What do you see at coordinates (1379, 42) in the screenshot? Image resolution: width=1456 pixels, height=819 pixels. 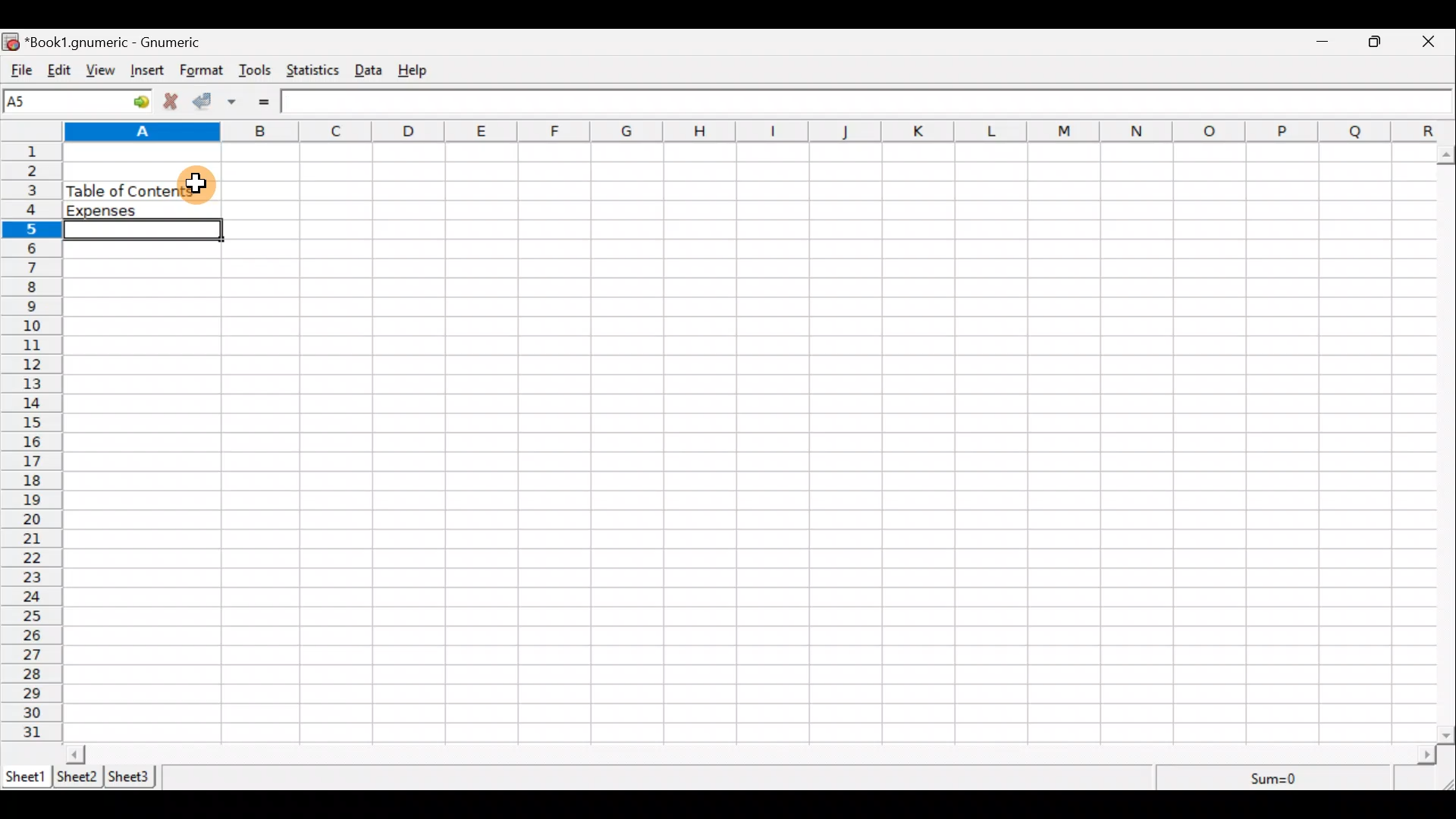 I see `Maximize/Minimize` at bounding box center [1379, 42].